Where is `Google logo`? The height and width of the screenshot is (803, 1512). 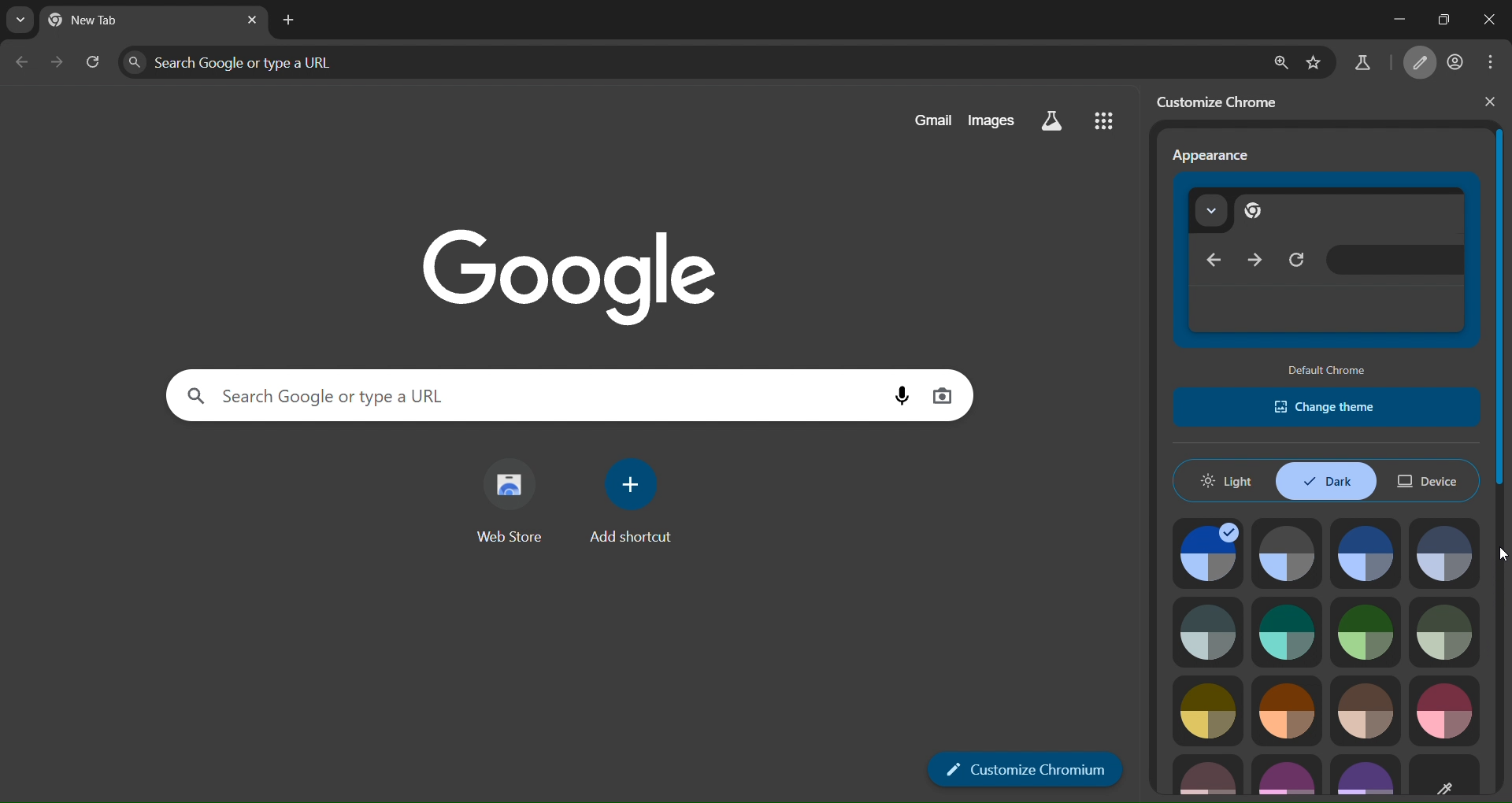 Google logo is located at coordinates (570, 275).